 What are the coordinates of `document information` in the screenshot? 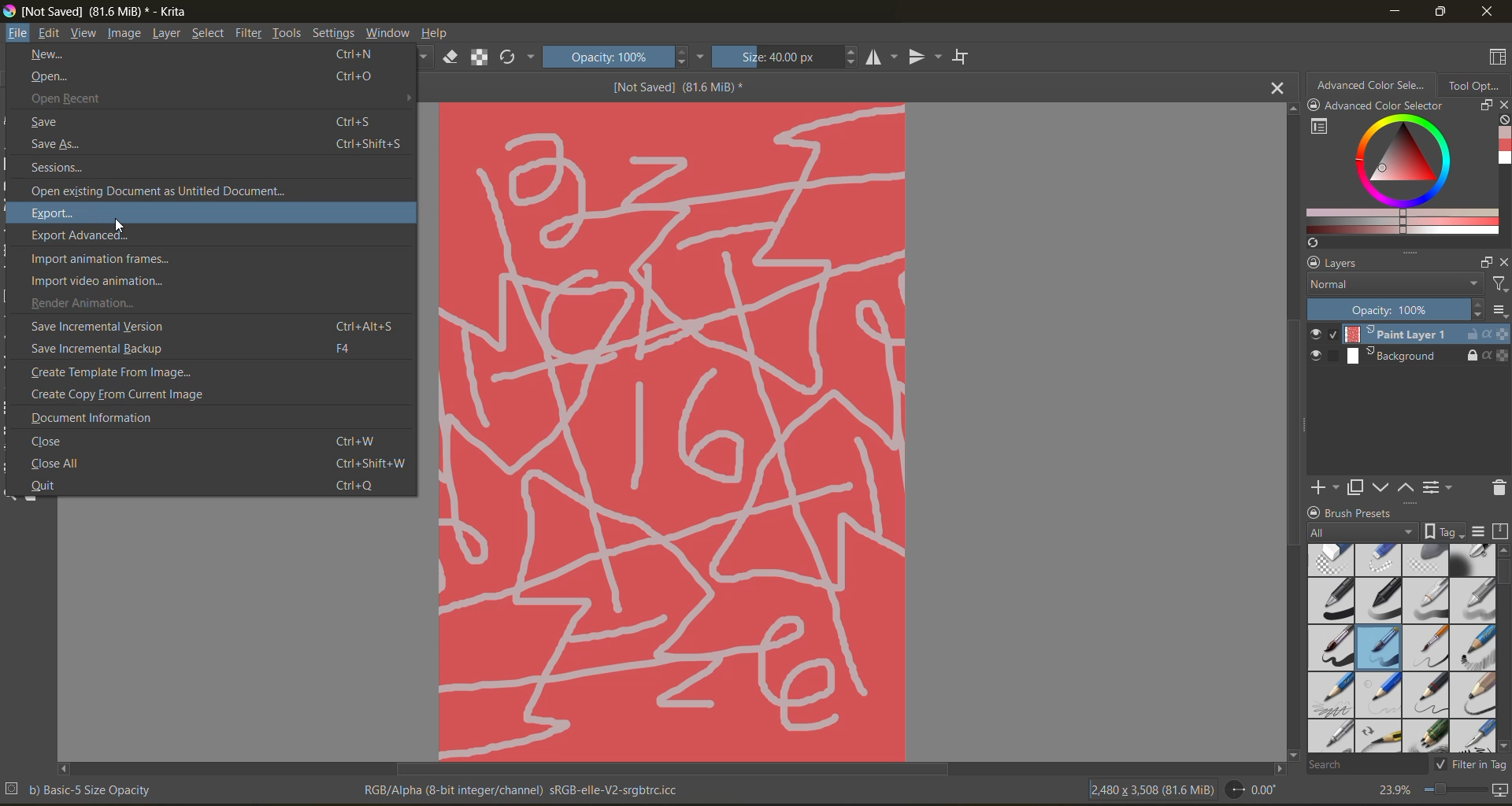 It's located at (94, 417).